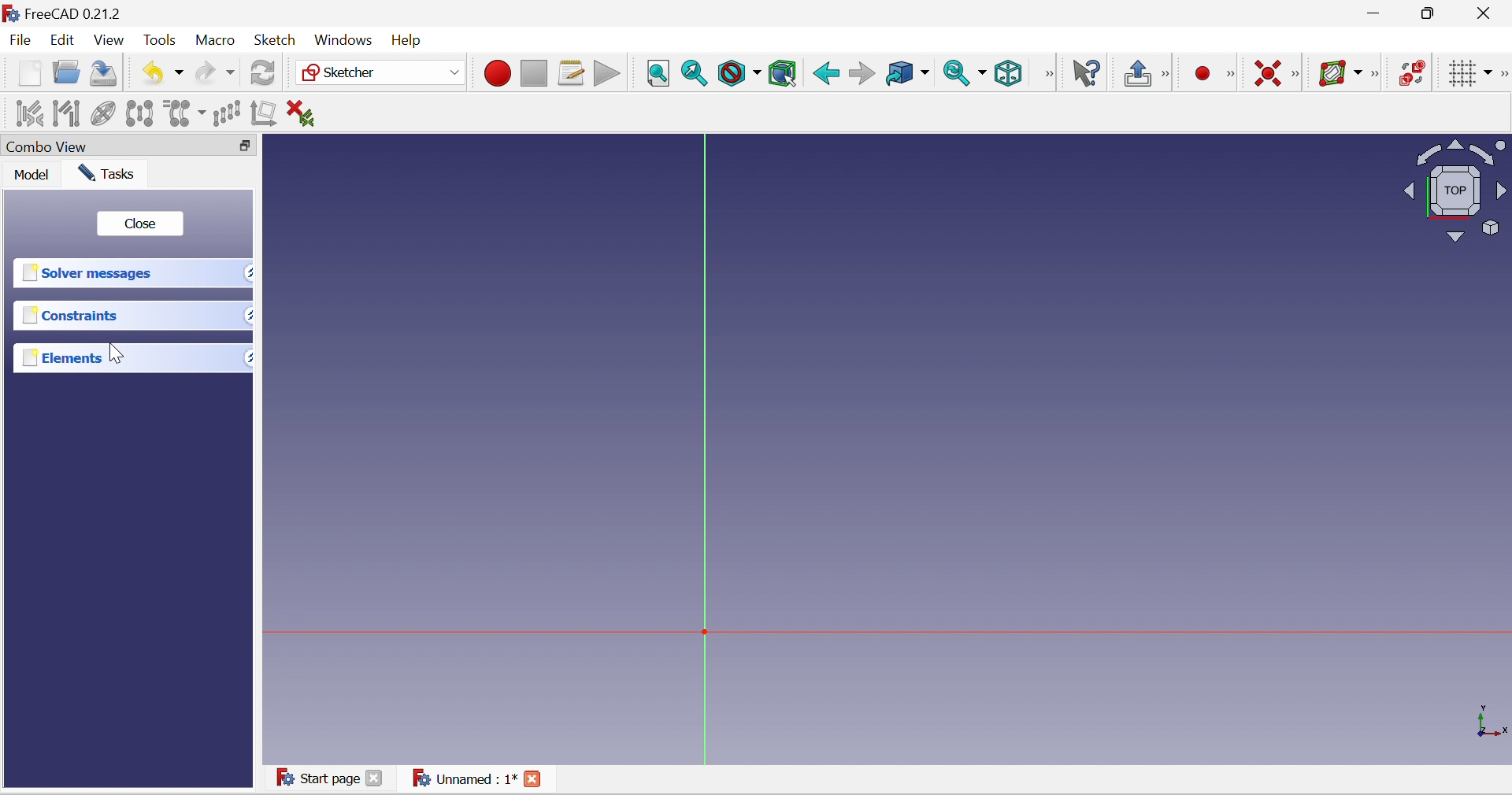 The width and height of the screenshot is (1512, 795). Describe the element at coordinates (86, 272) in the screenshot. I see `Solver messages` at that location.